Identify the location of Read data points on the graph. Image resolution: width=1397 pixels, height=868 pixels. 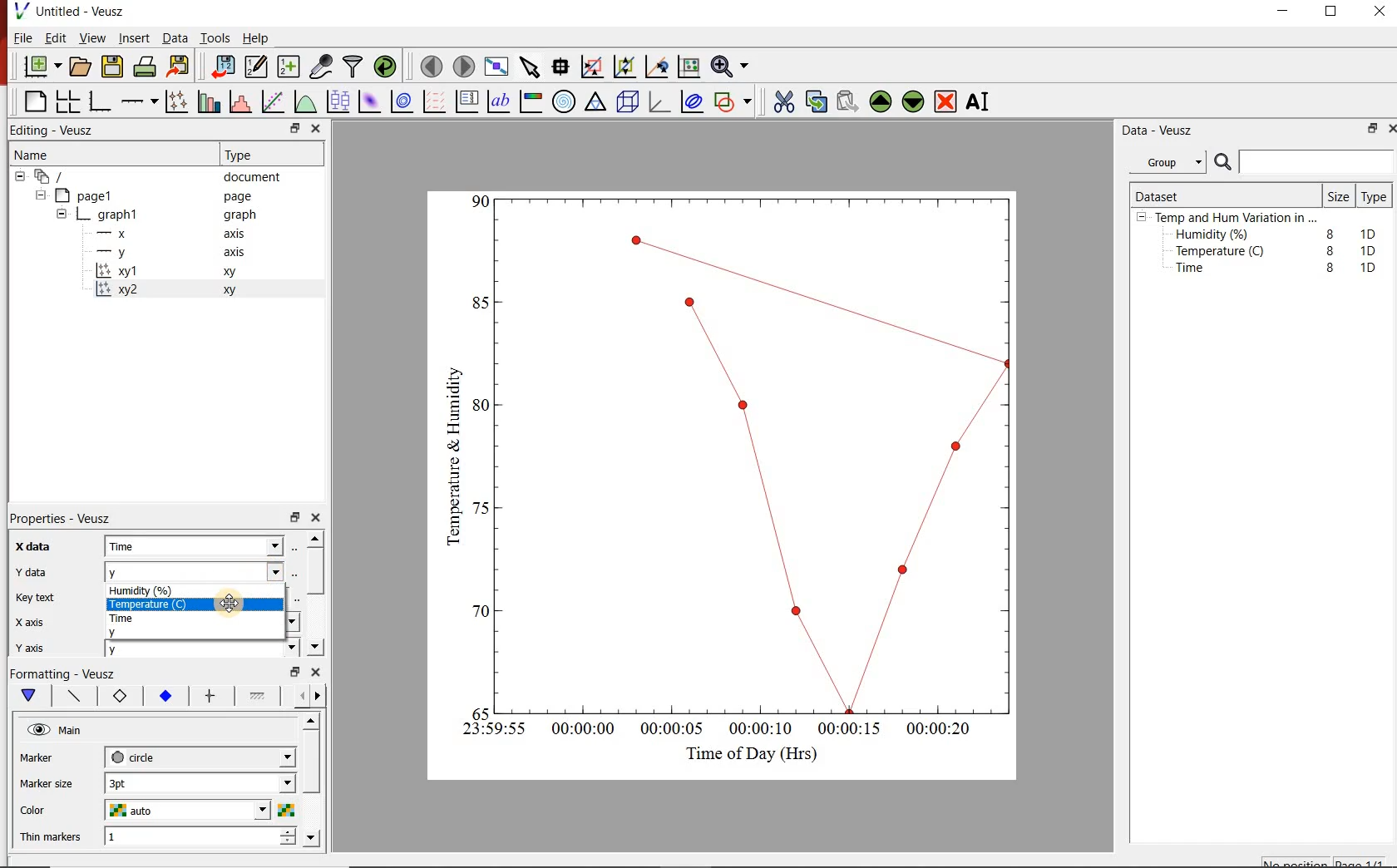
(562, 67).